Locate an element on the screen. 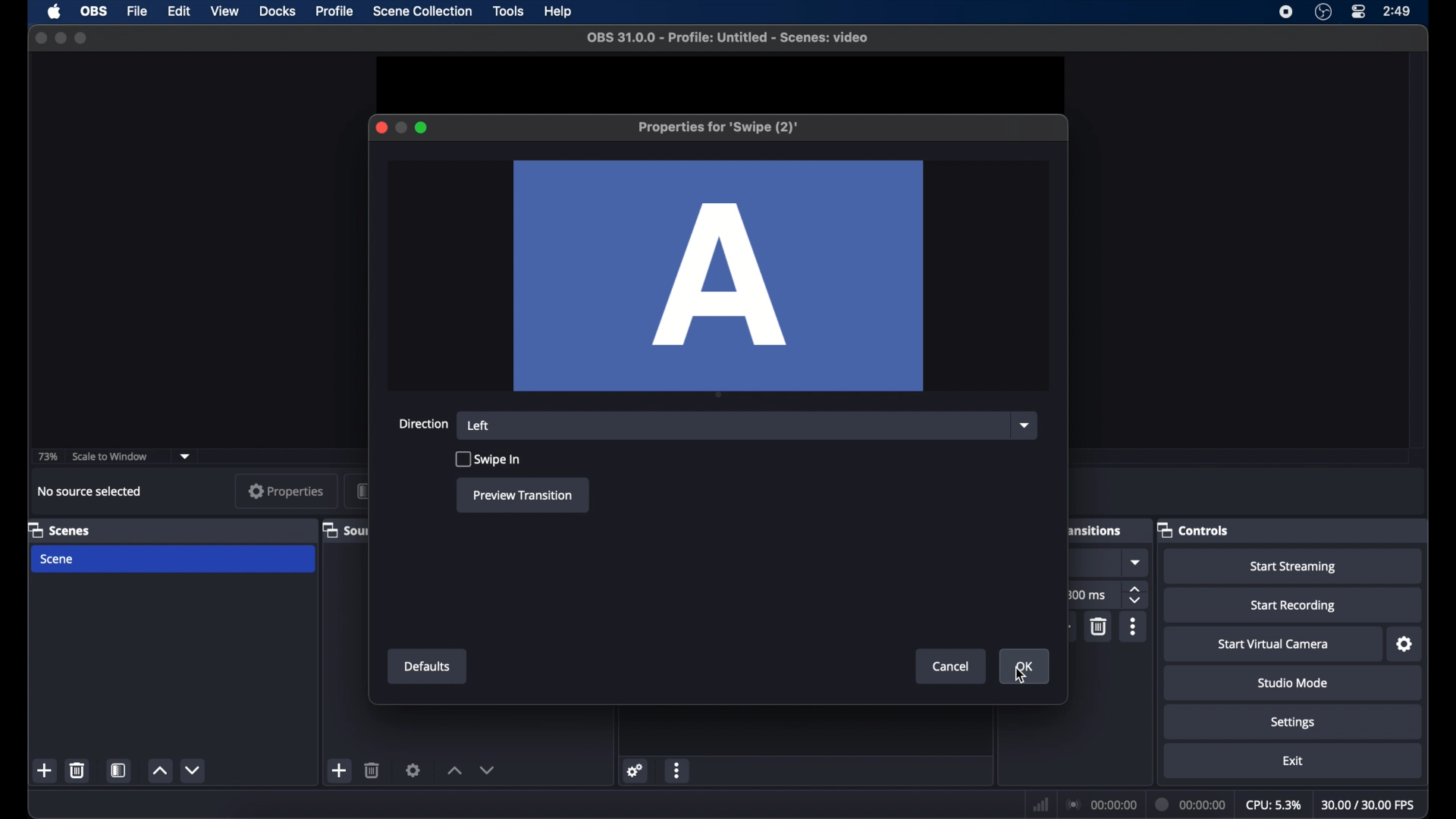  delete is located at coordinates (372, 770).